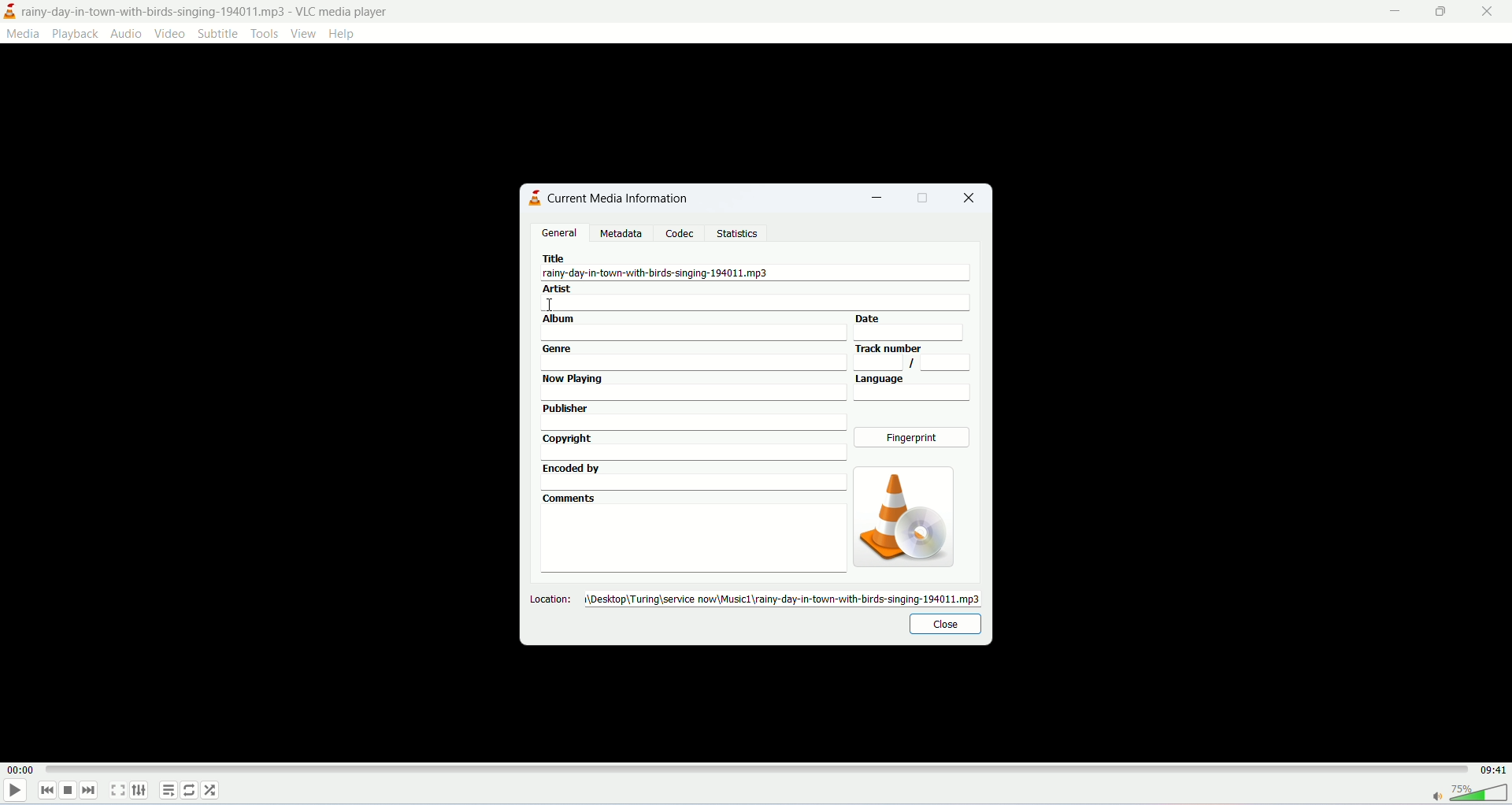 The height and width of the screenshot is (805, 1512). I want to click on help, so click(345, 35).